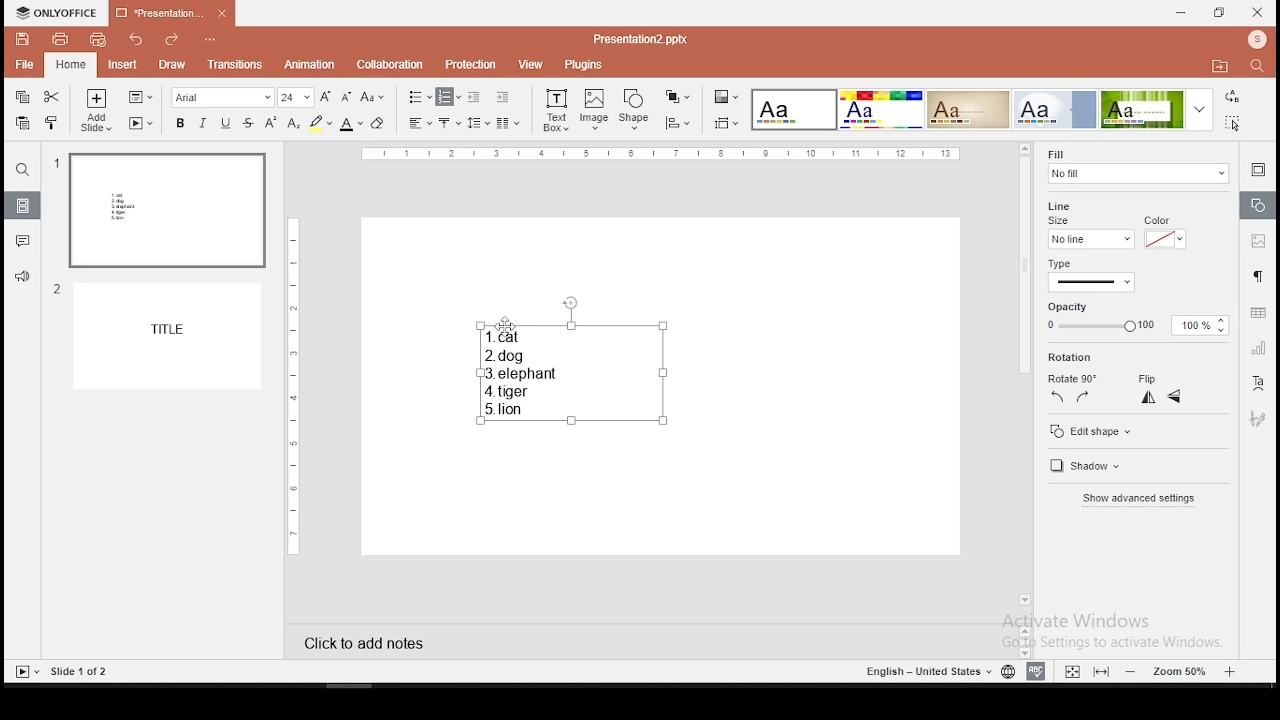 This screenshot has height=720, width=1280. What do you see at coordinates (635, 111) in the screenshot?
I see `shape` at bounding box center [635, 111].